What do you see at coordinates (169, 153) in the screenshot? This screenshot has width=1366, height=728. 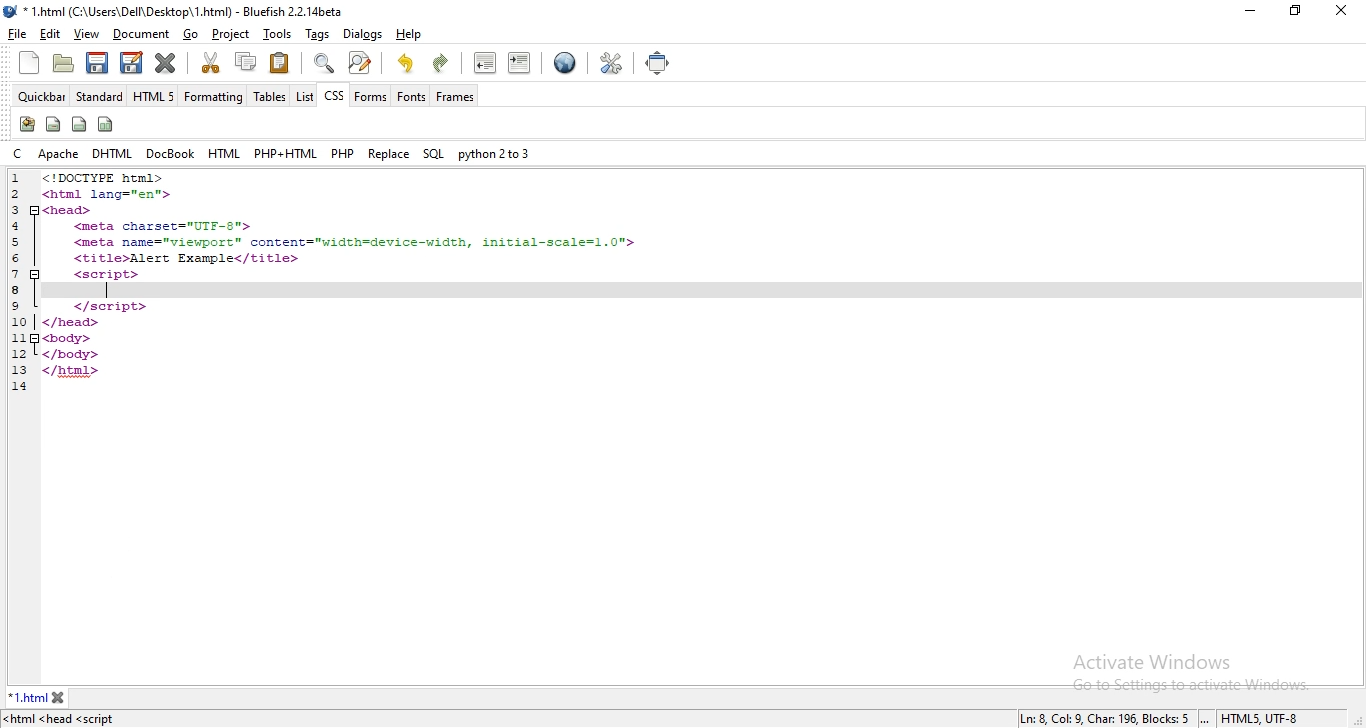 I see `docbook` at bounding box center [169, 153].